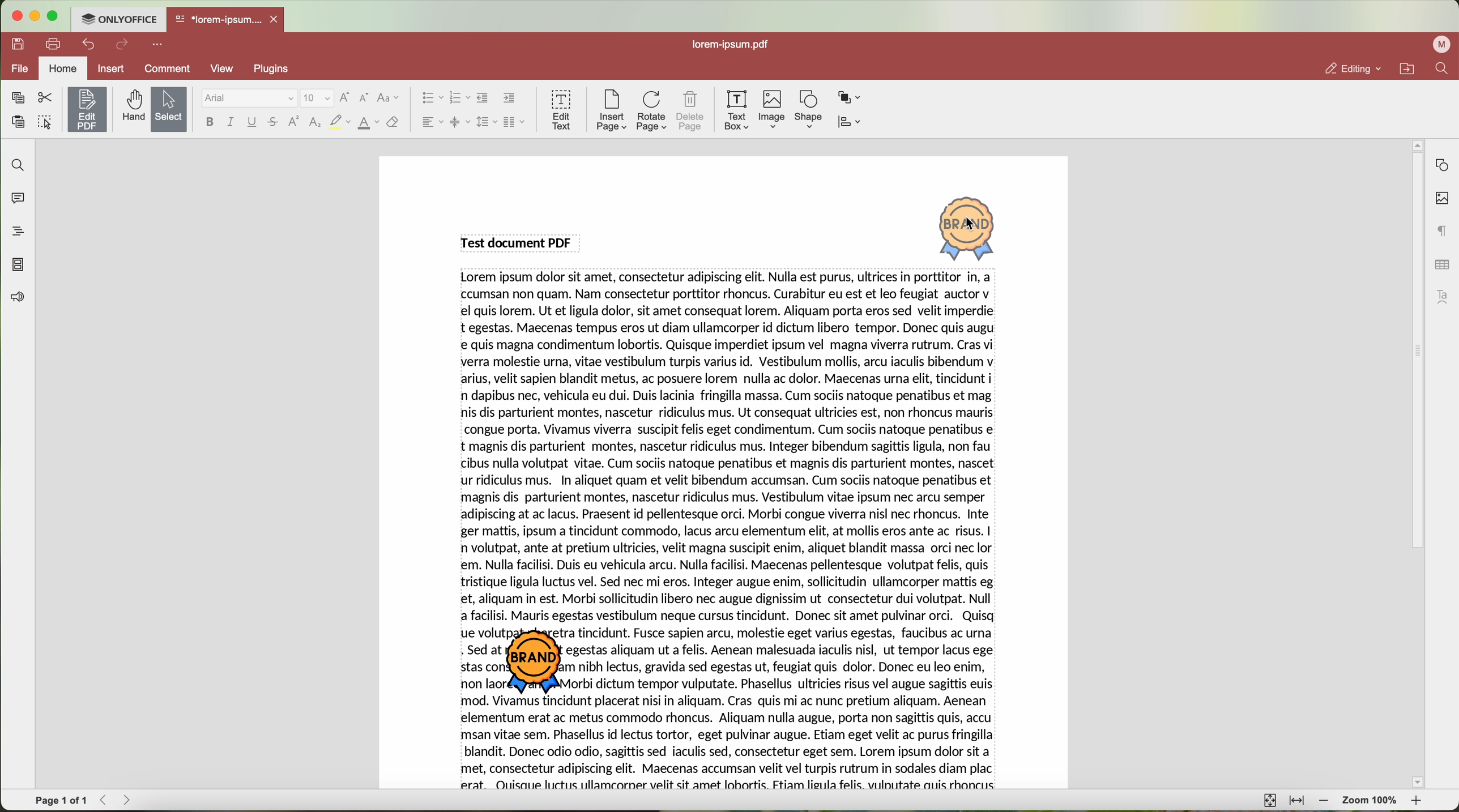 This screenshot has height=812, width=1459. I want to click on horizontal align, so click(431, 122).